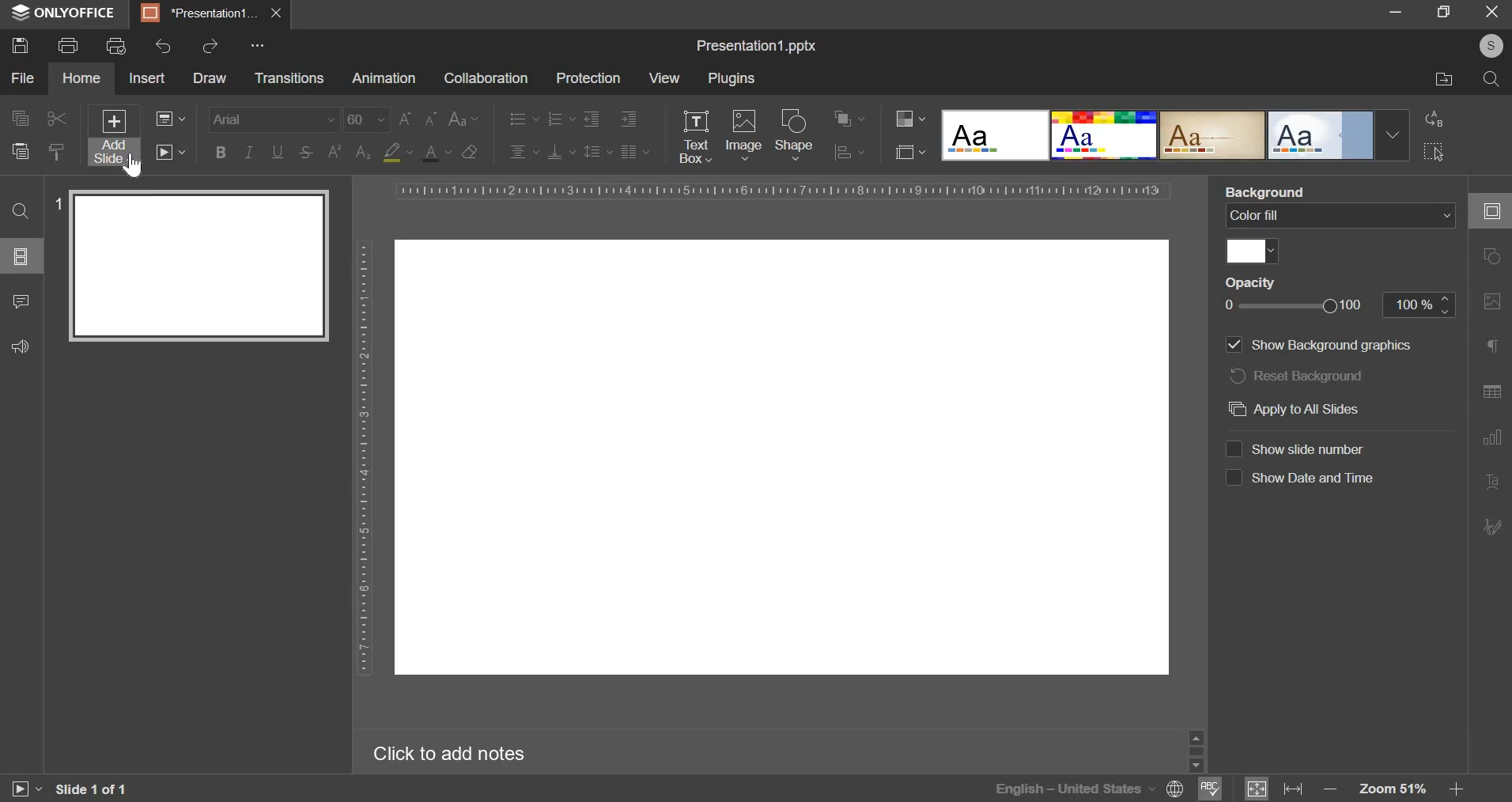 This screenshot has width=1512, height=802. What do you see at coordinates (115, 137) in the screenshot?
I see `add slide` at bounding box center [115, 137].